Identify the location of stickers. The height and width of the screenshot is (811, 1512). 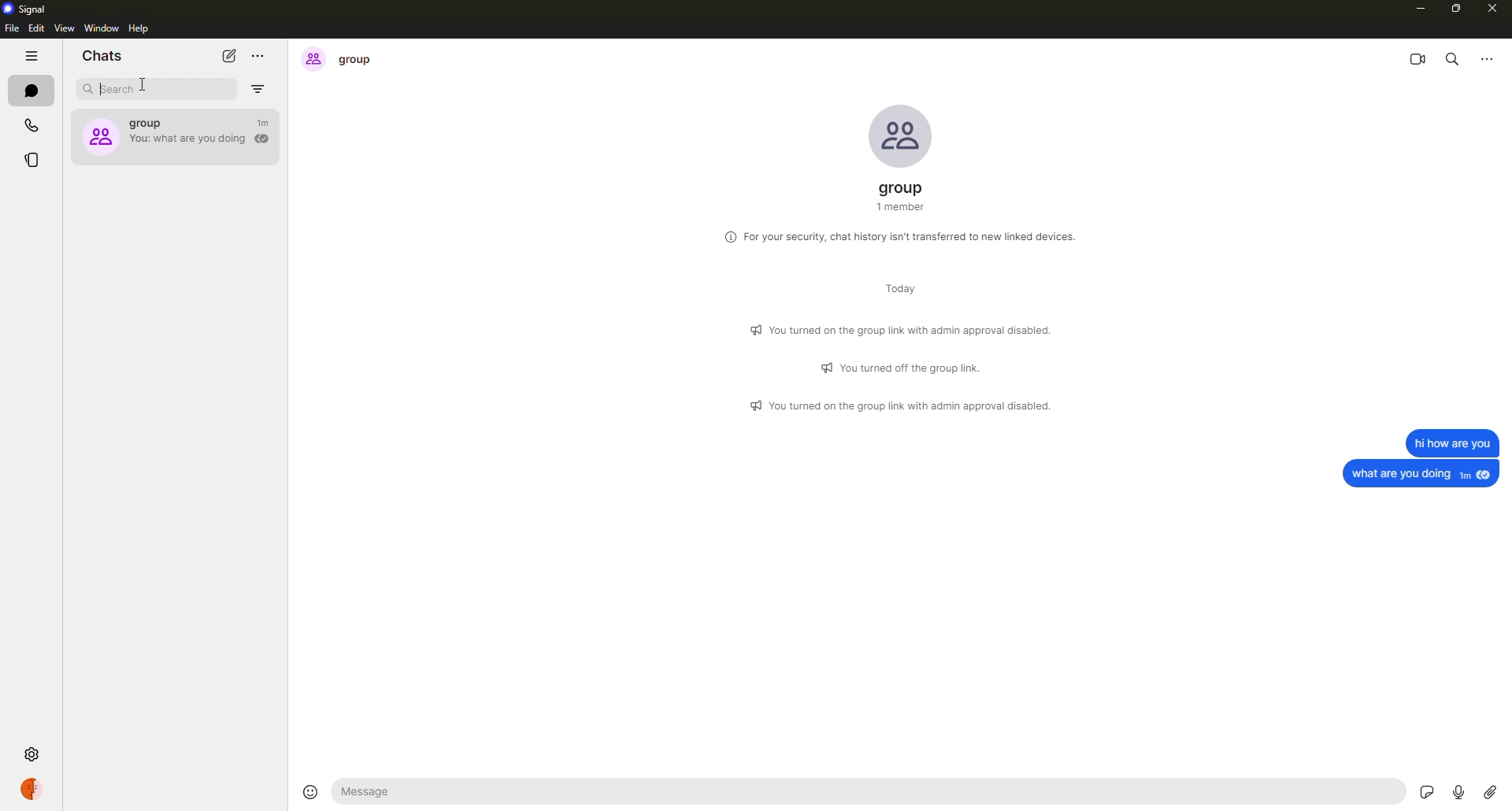
(1427, 788).